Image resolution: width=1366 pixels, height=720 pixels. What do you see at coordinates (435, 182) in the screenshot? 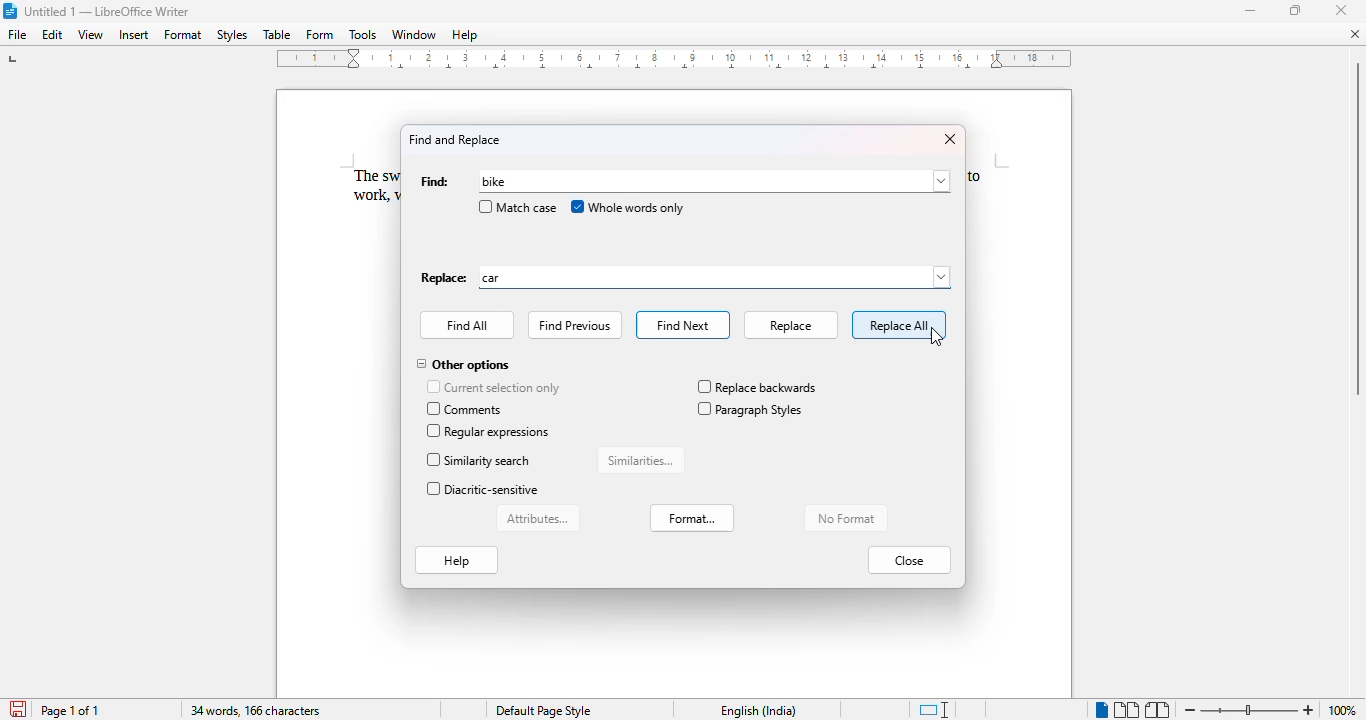
I see `find: ` at bounding box center [435, 182].